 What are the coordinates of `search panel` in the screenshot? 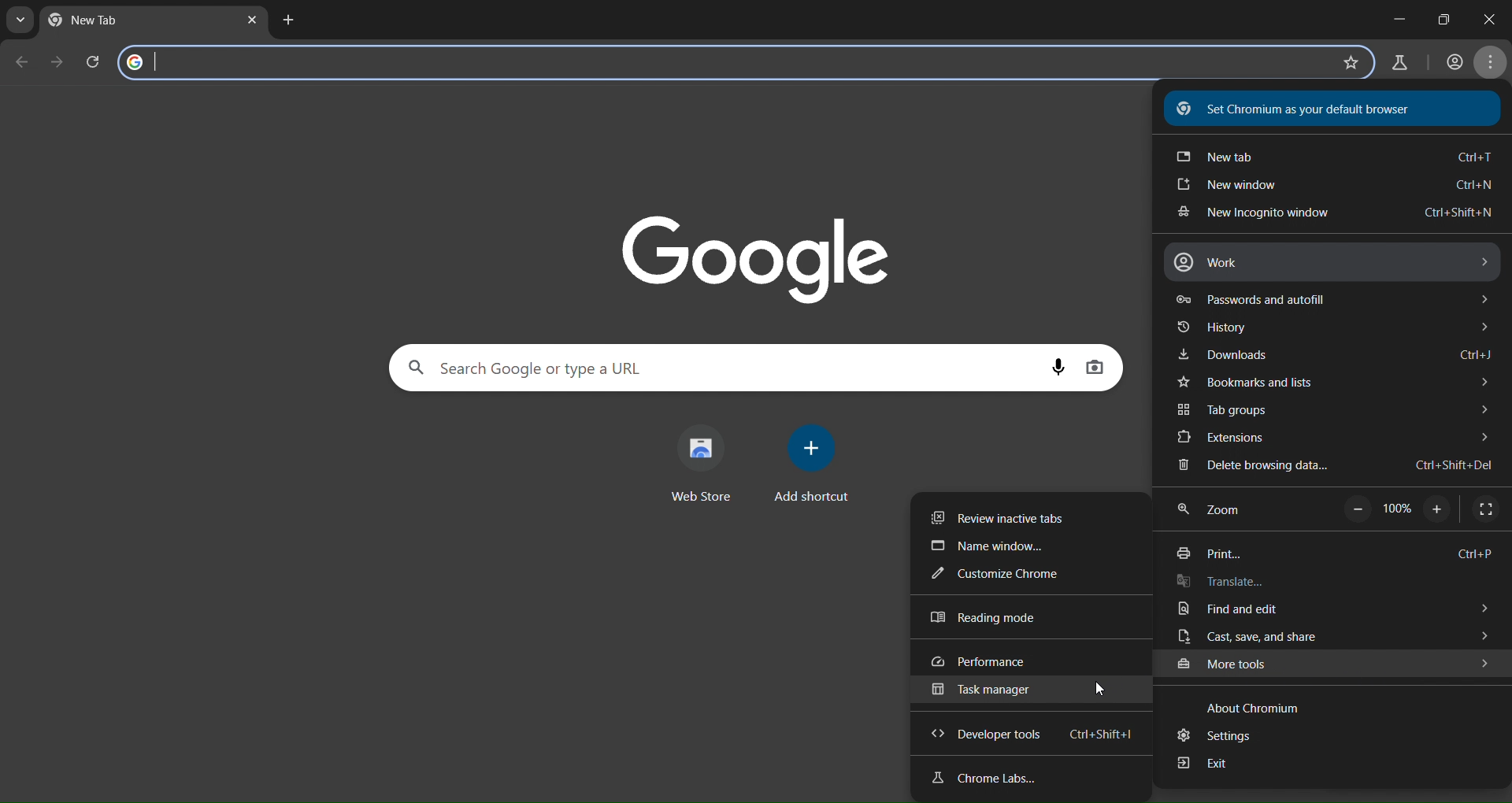 It's located at (235, 61).